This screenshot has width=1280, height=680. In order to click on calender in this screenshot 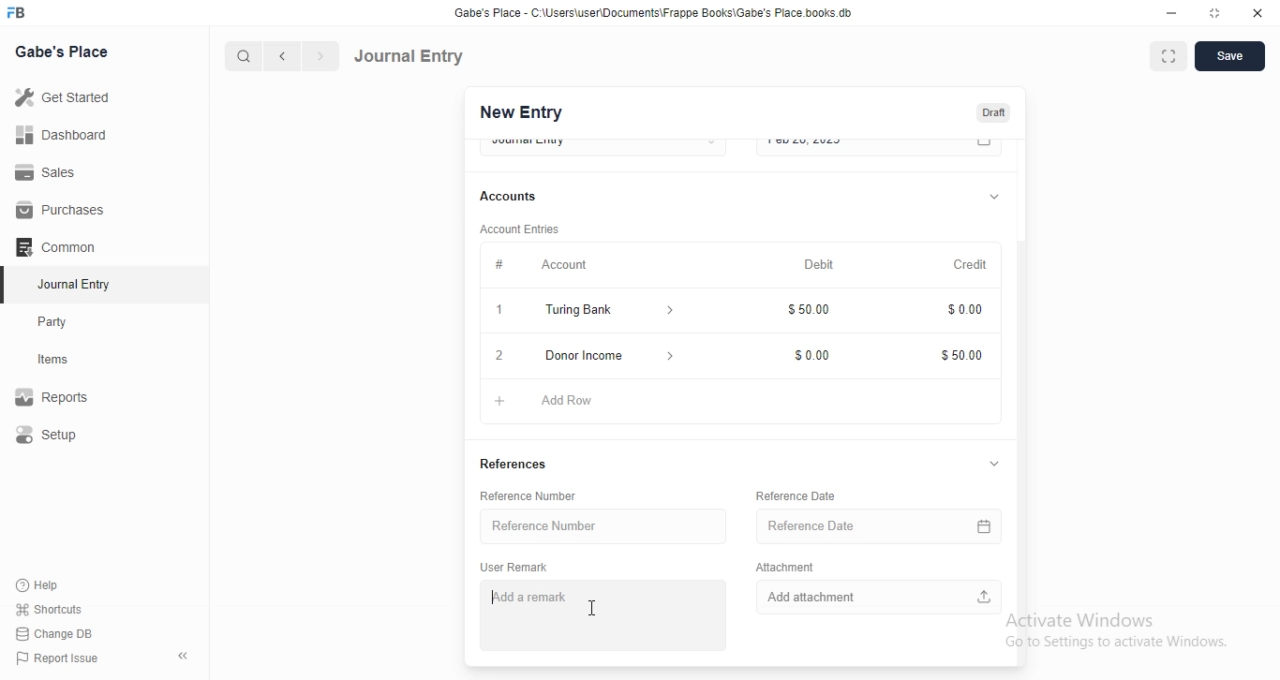, I will do `click(988, 523)`.